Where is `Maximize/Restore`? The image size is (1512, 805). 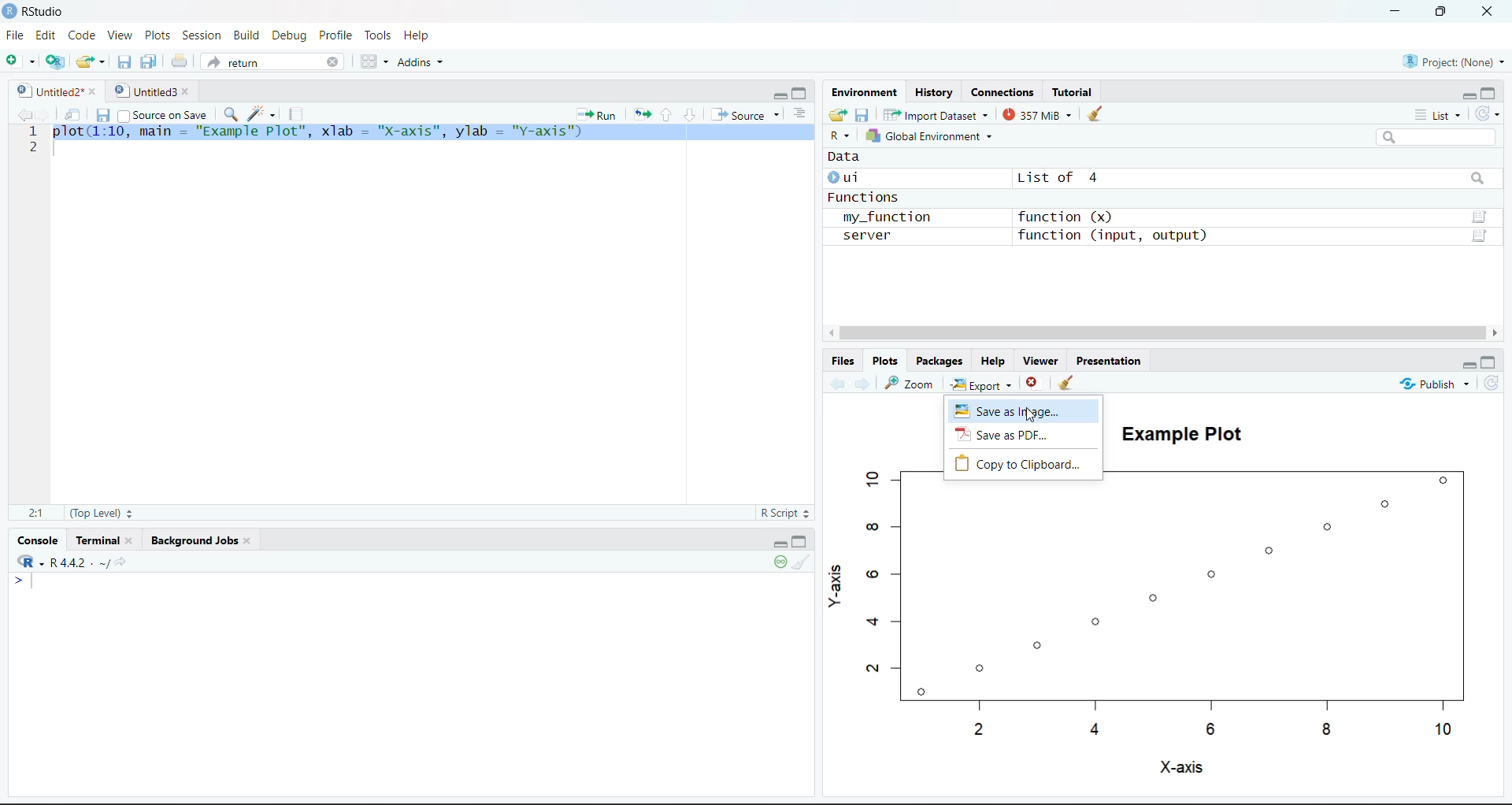 Maximize/Restore is located at coordinates (1443, 13).